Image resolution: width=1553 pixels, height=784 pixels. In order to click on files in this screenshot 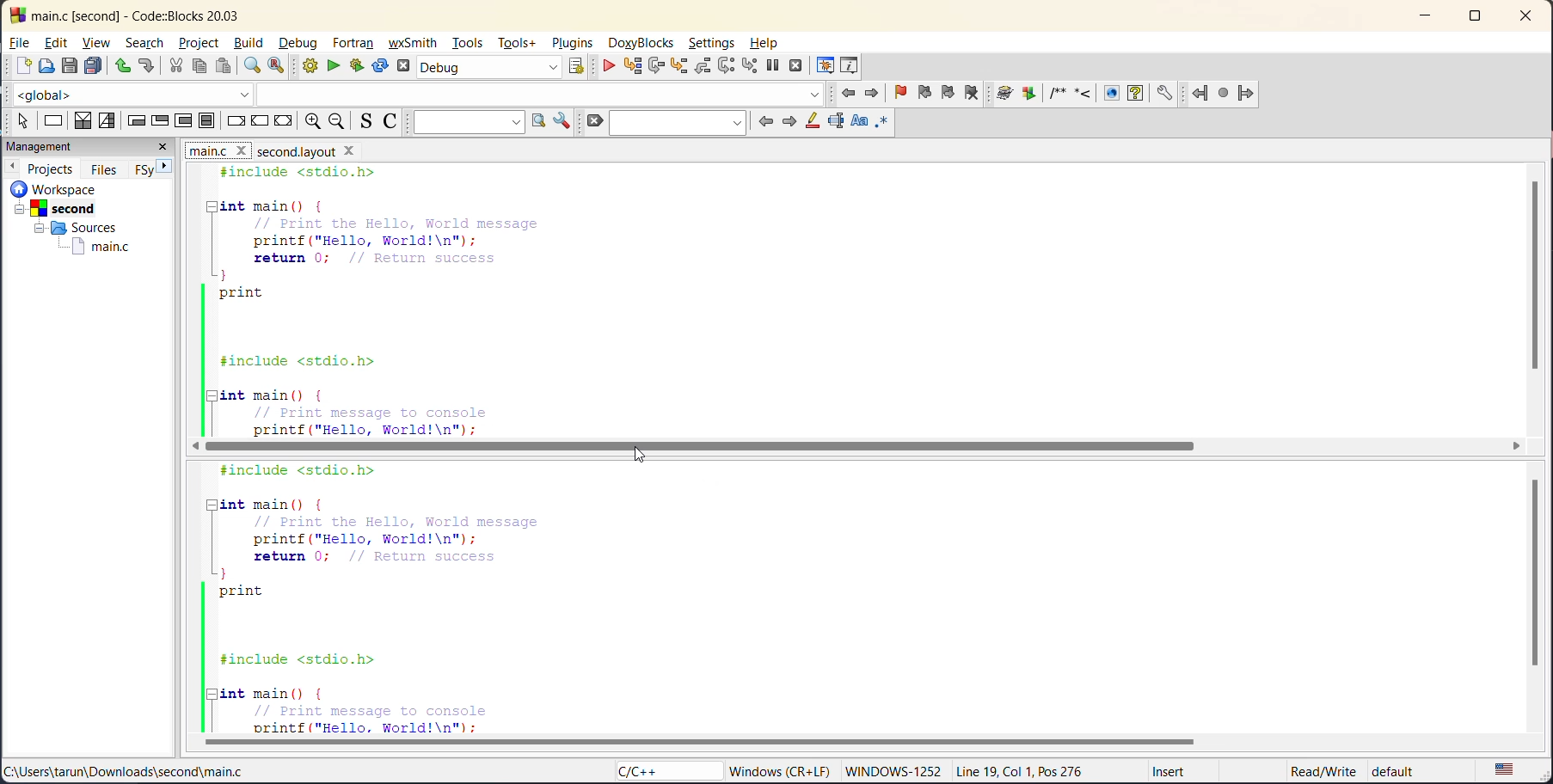, I will do `click(104, 168)`.